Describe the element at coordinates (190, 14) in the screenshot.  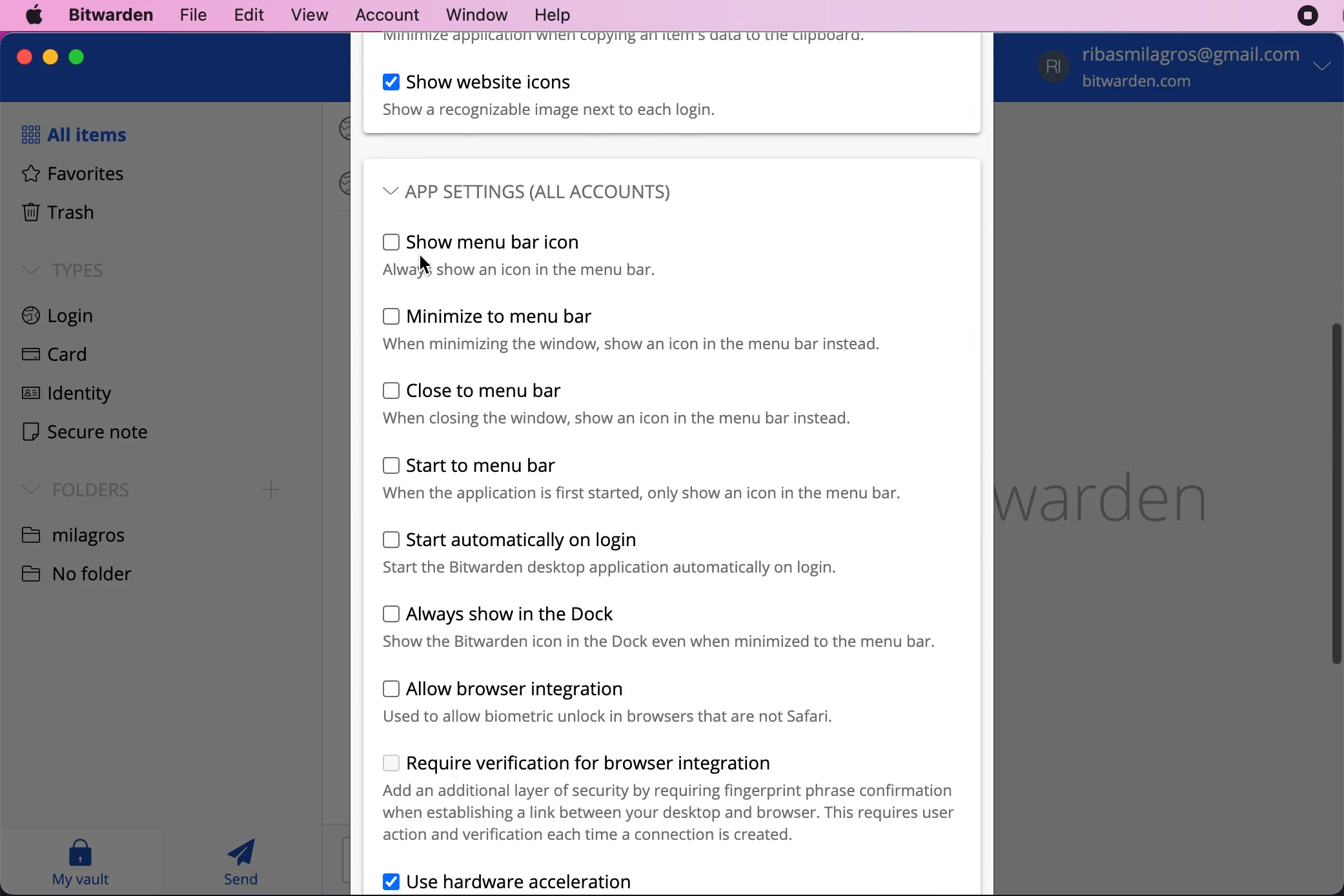
I see `file` at that location.